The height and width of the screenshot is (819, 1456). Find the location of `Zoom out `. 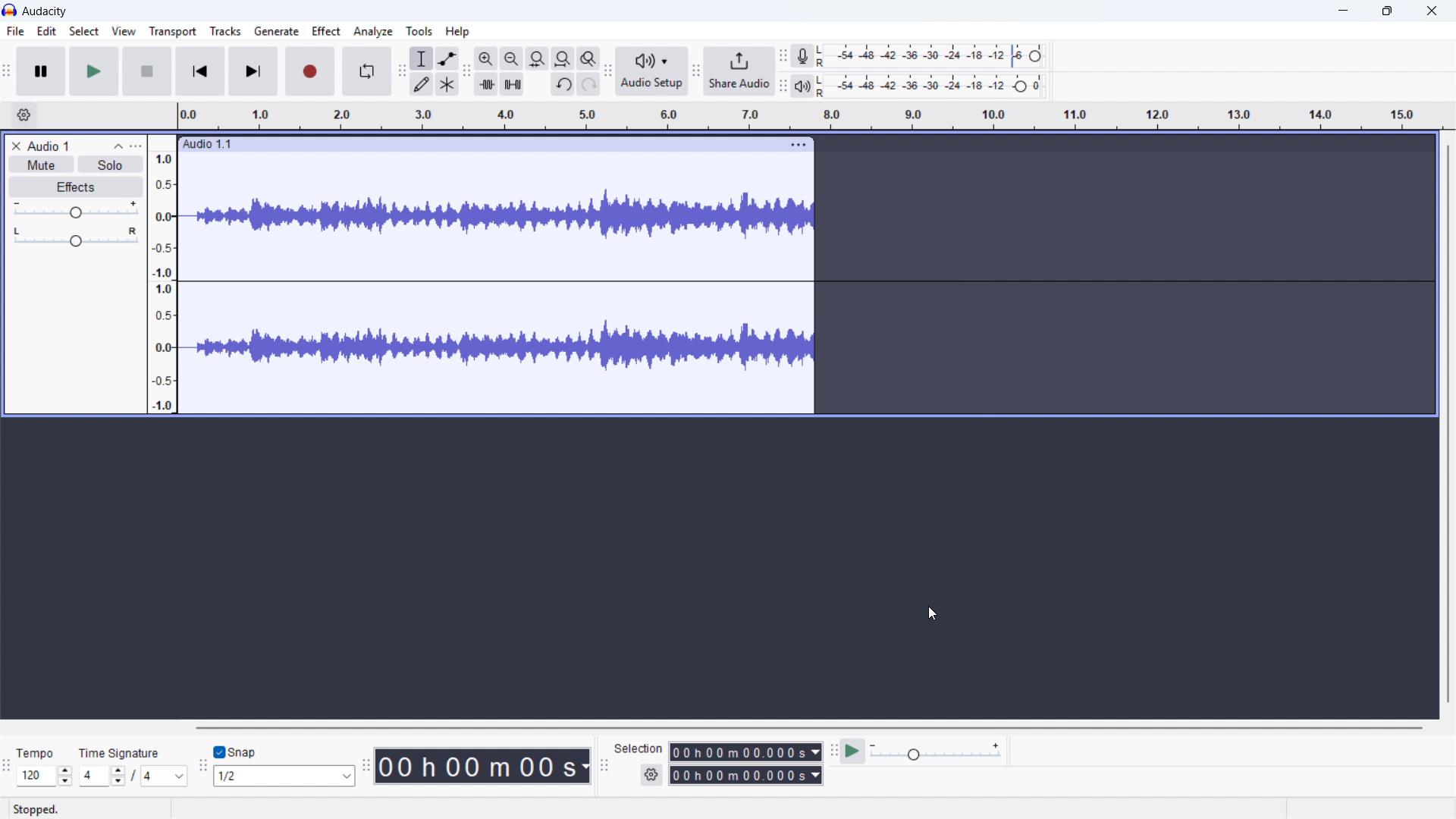

Zoom out  is located at coordinates (512, 58).